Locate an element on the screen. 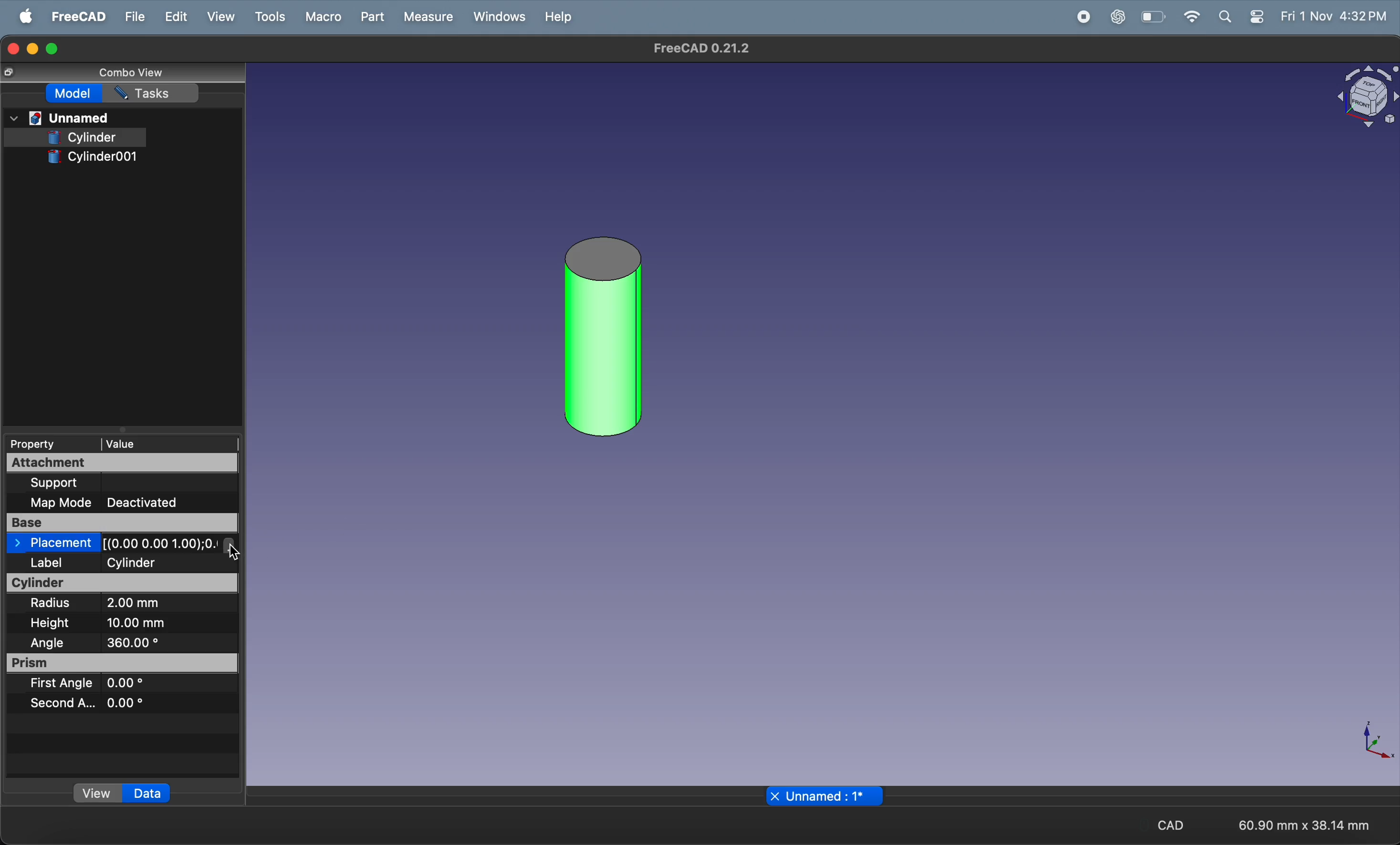 This screenshot has width=1400, height=845. combo view is located at coordinates (132, 74).